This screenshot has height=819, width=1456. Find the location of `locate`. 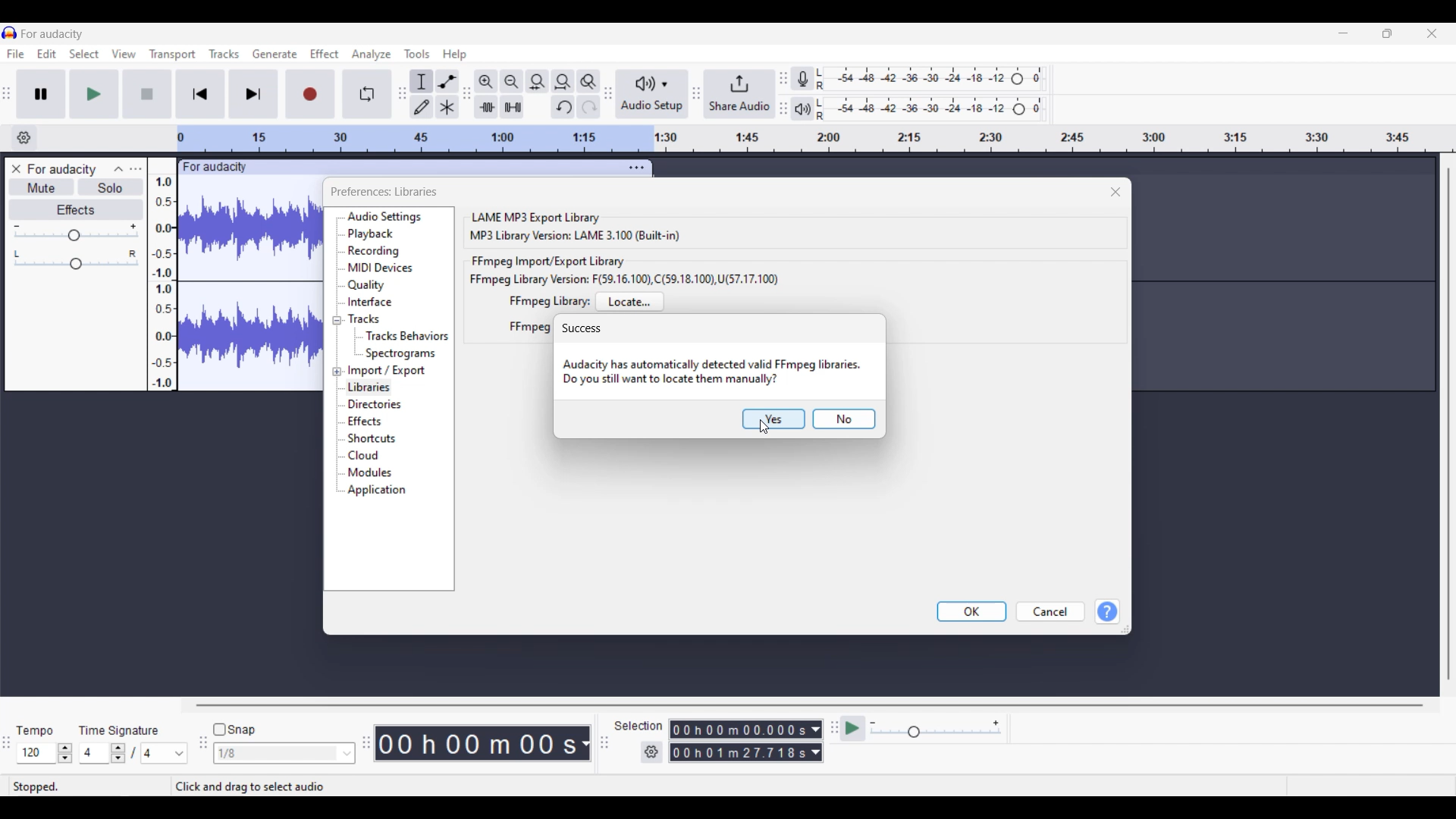

locate is located at coordinates (630, 302).